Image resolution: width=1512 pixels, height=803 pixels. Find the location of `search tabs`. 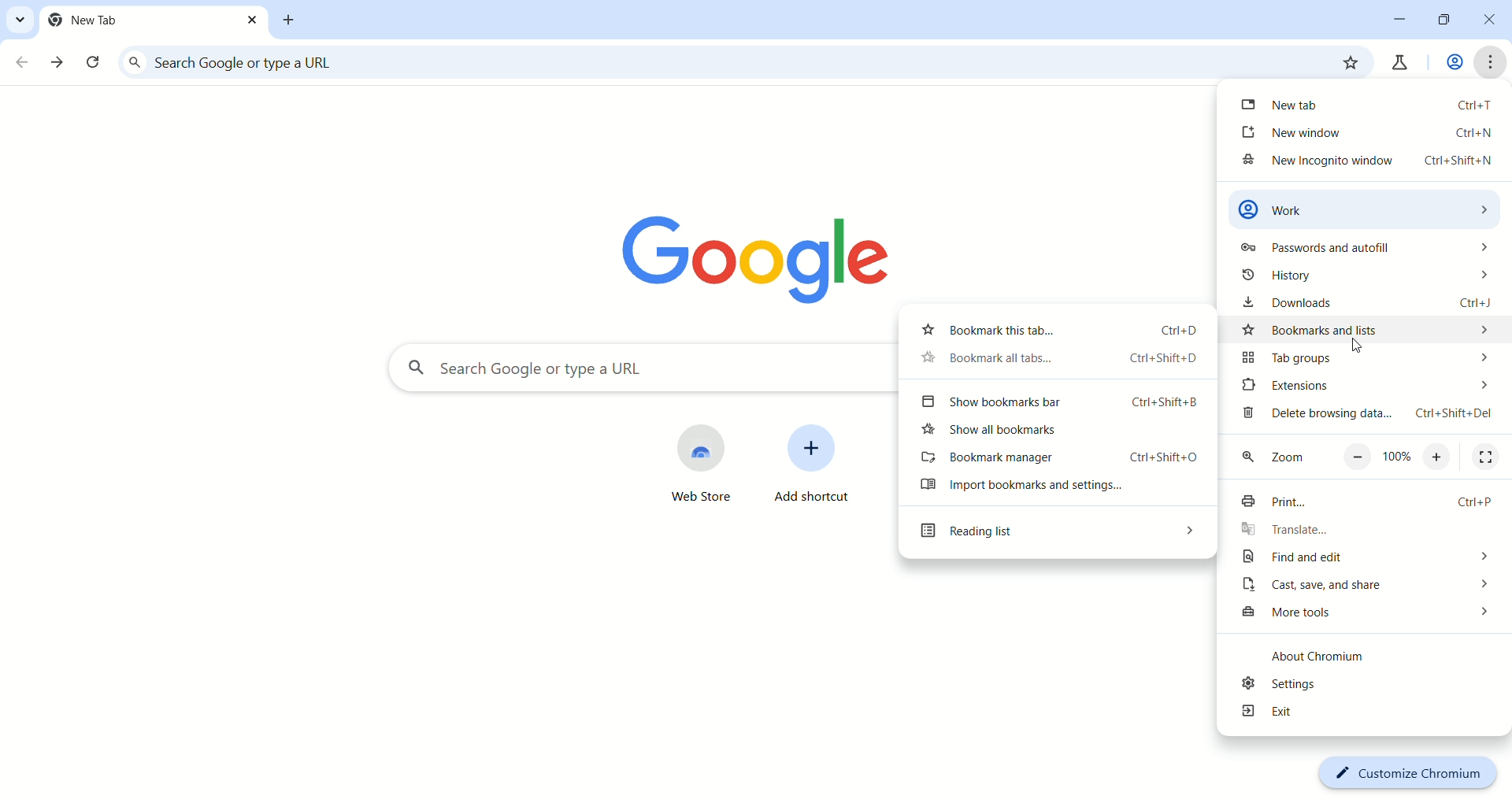

search tabs is located at coordinates (18, 19).